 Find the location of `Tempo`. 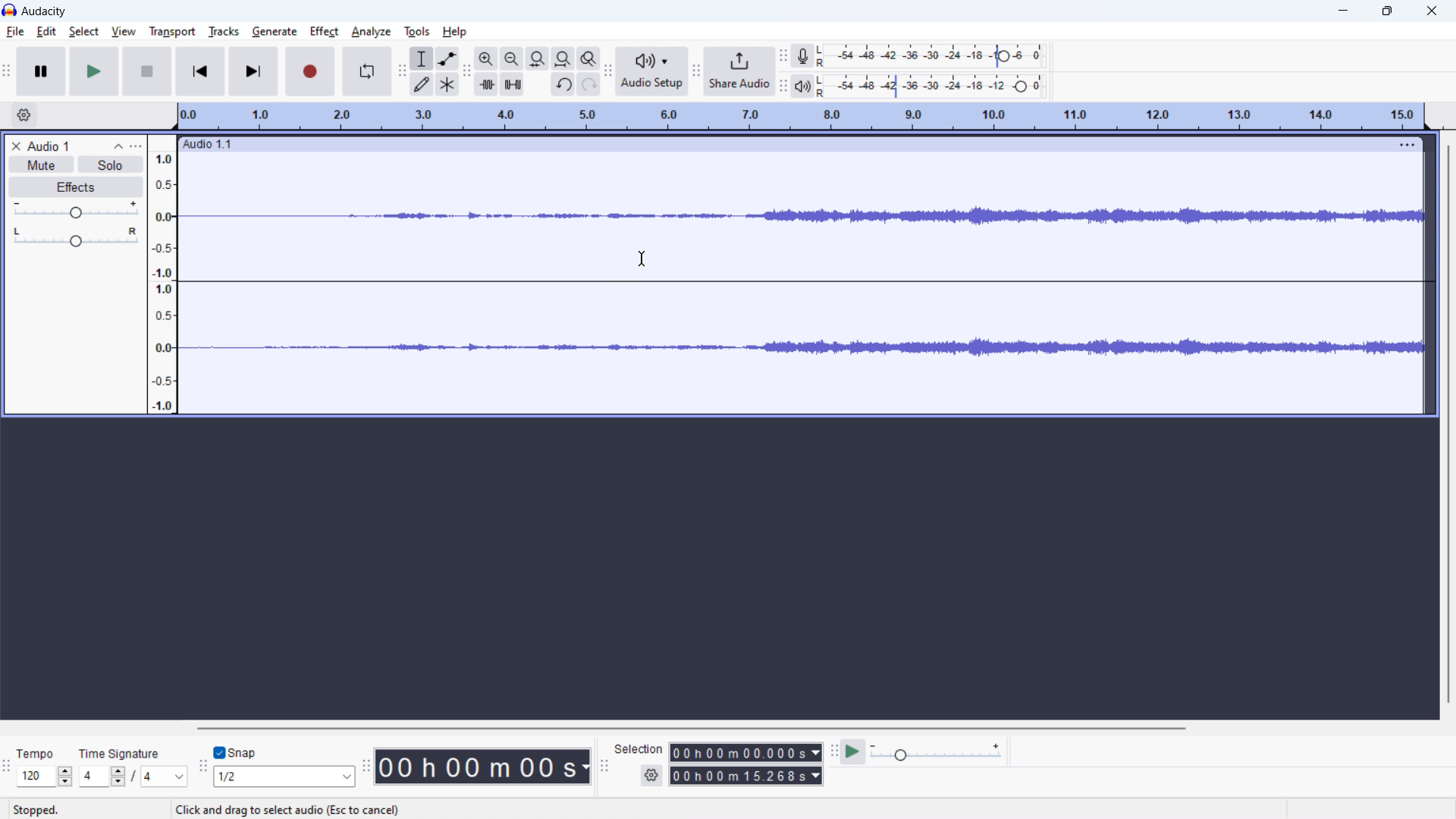

Tempo is located at coordinates (44, 754).